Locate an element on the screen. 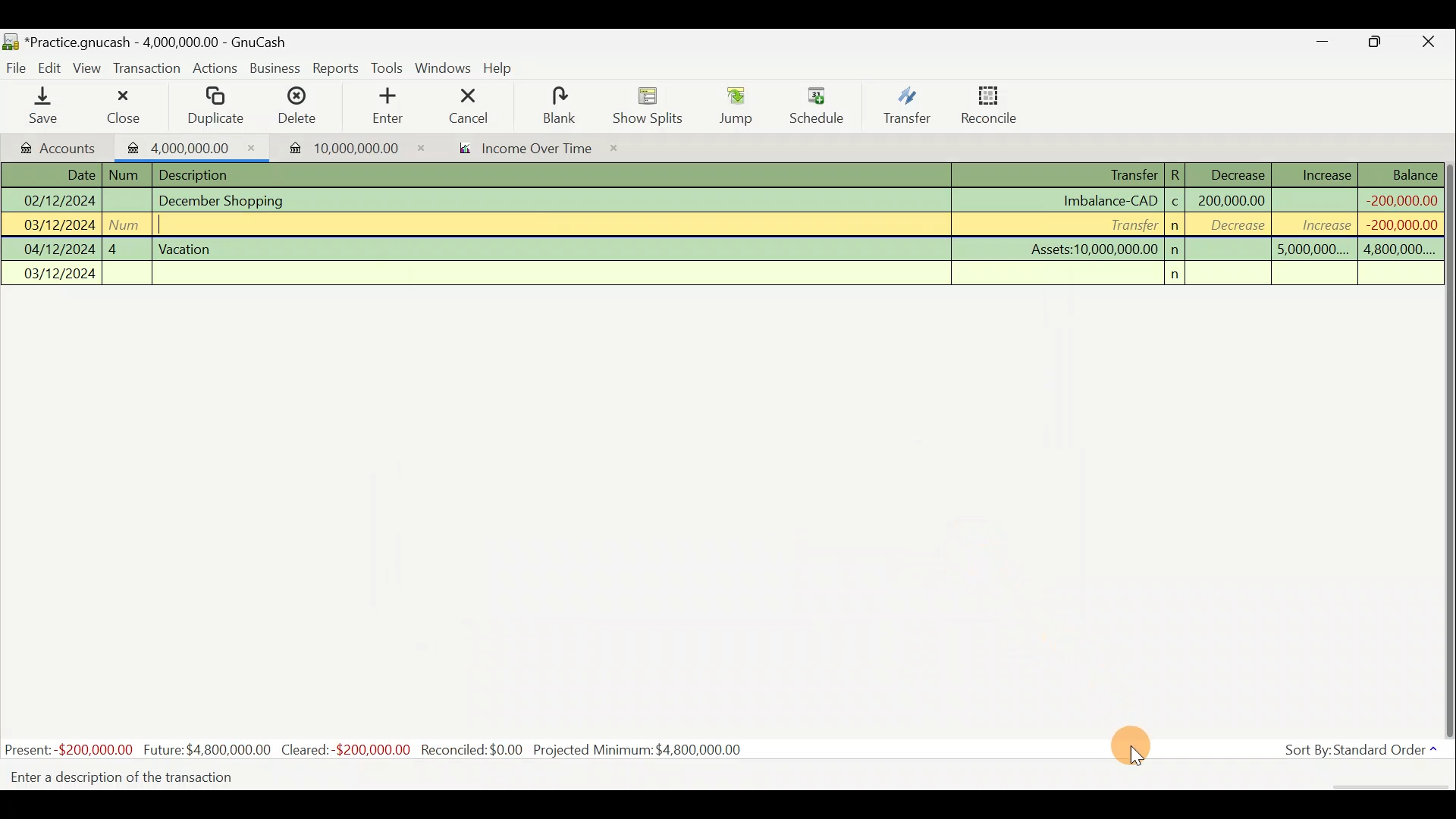 The width and height of the screenshot is (1456, 819). decrease is located at coordinates (1233, 227).